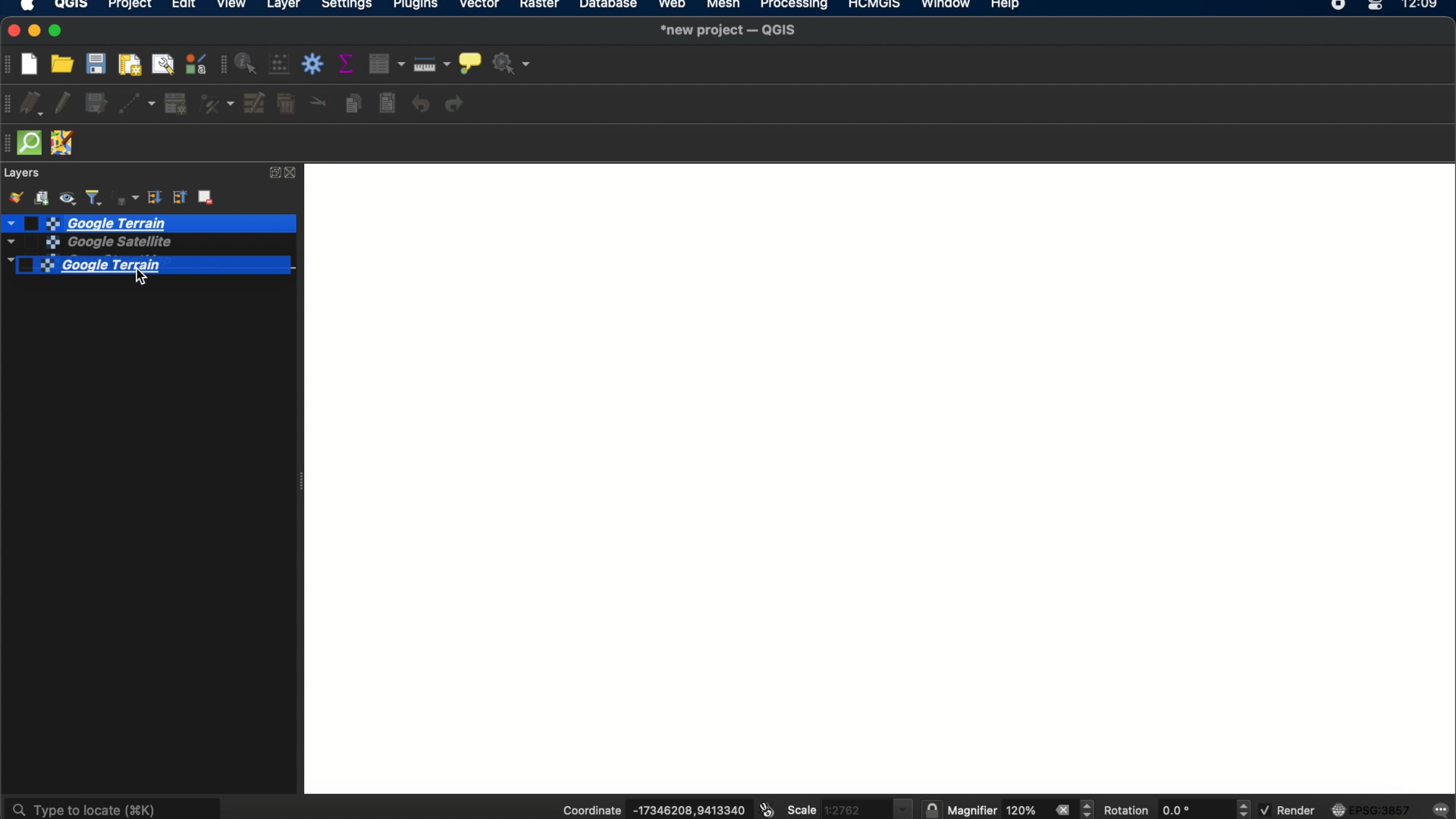 Image resolution: width=1456 pixels, height=819 pixels. What do you see at coordinates (9, 105) in the screenshot?
I see `digitizing toolbar` at bounding box center [9, 105].